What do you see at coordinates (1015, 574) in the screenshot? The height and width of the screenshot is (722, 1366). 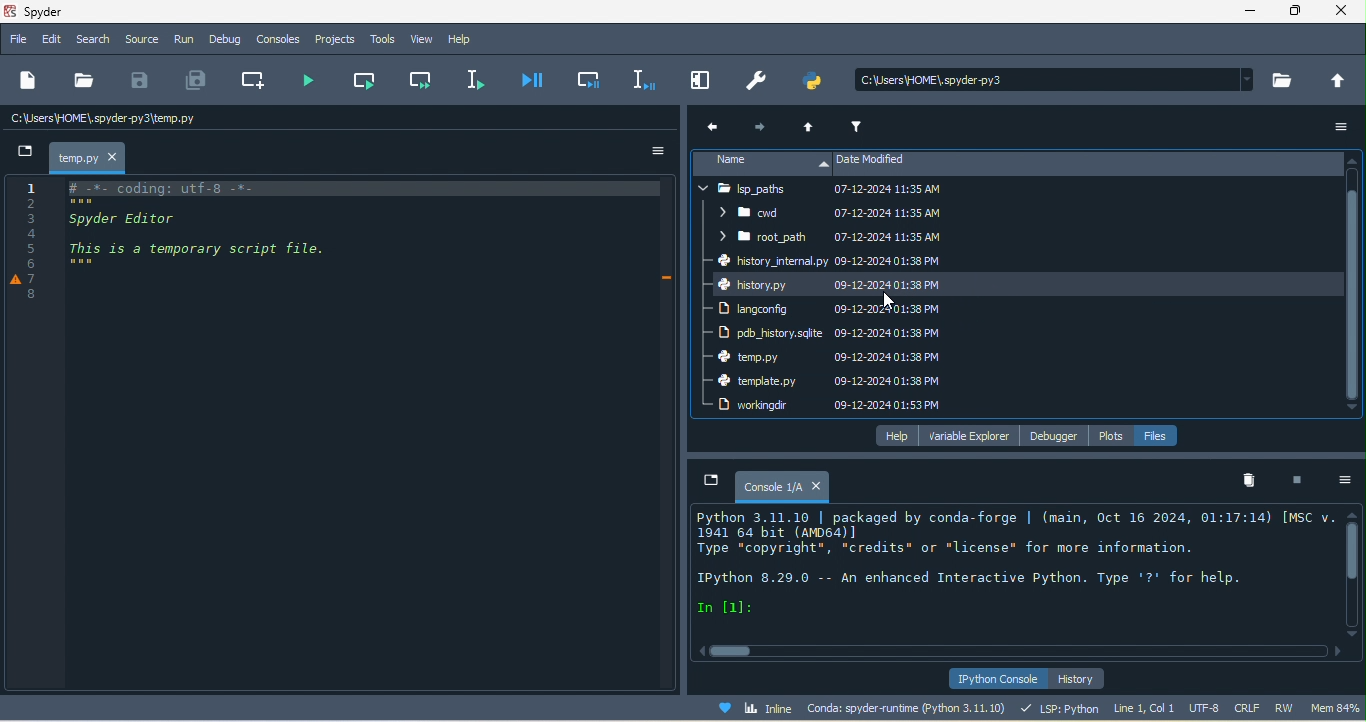 I see `text` at bounding box center [1015, 574].